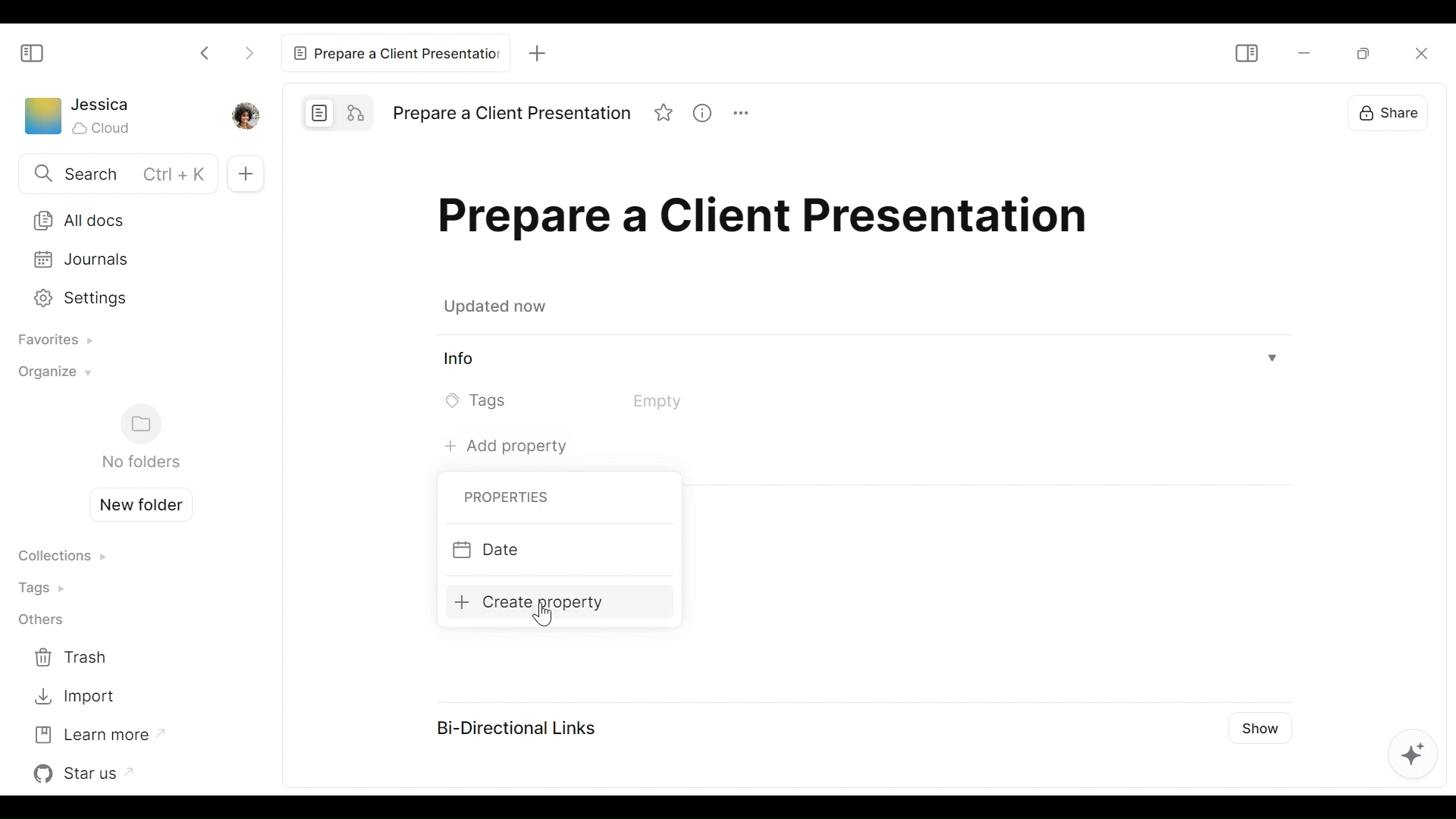  I want to click on Cursor, so click(547, 616).